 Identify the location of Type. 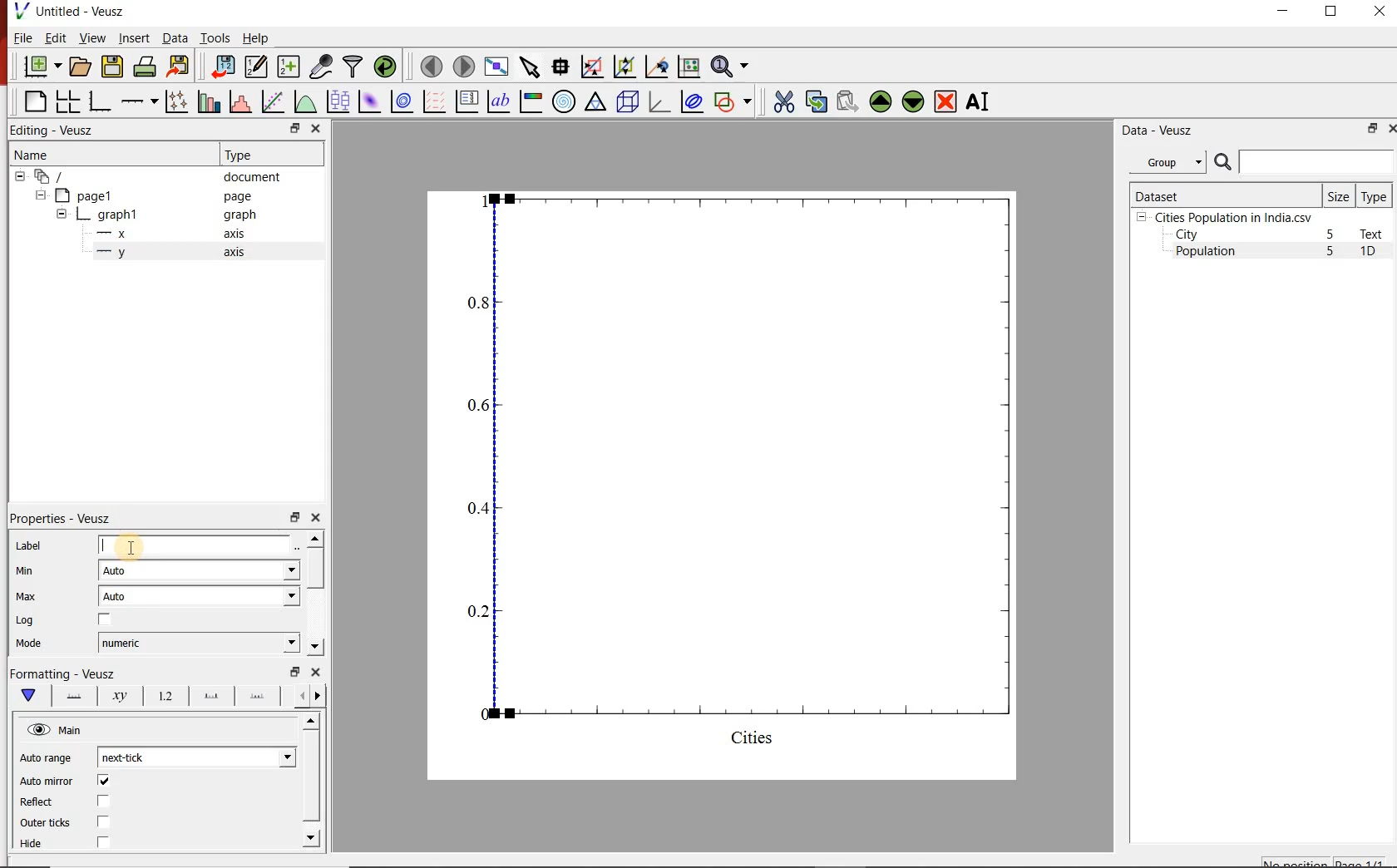
(1375, 195).